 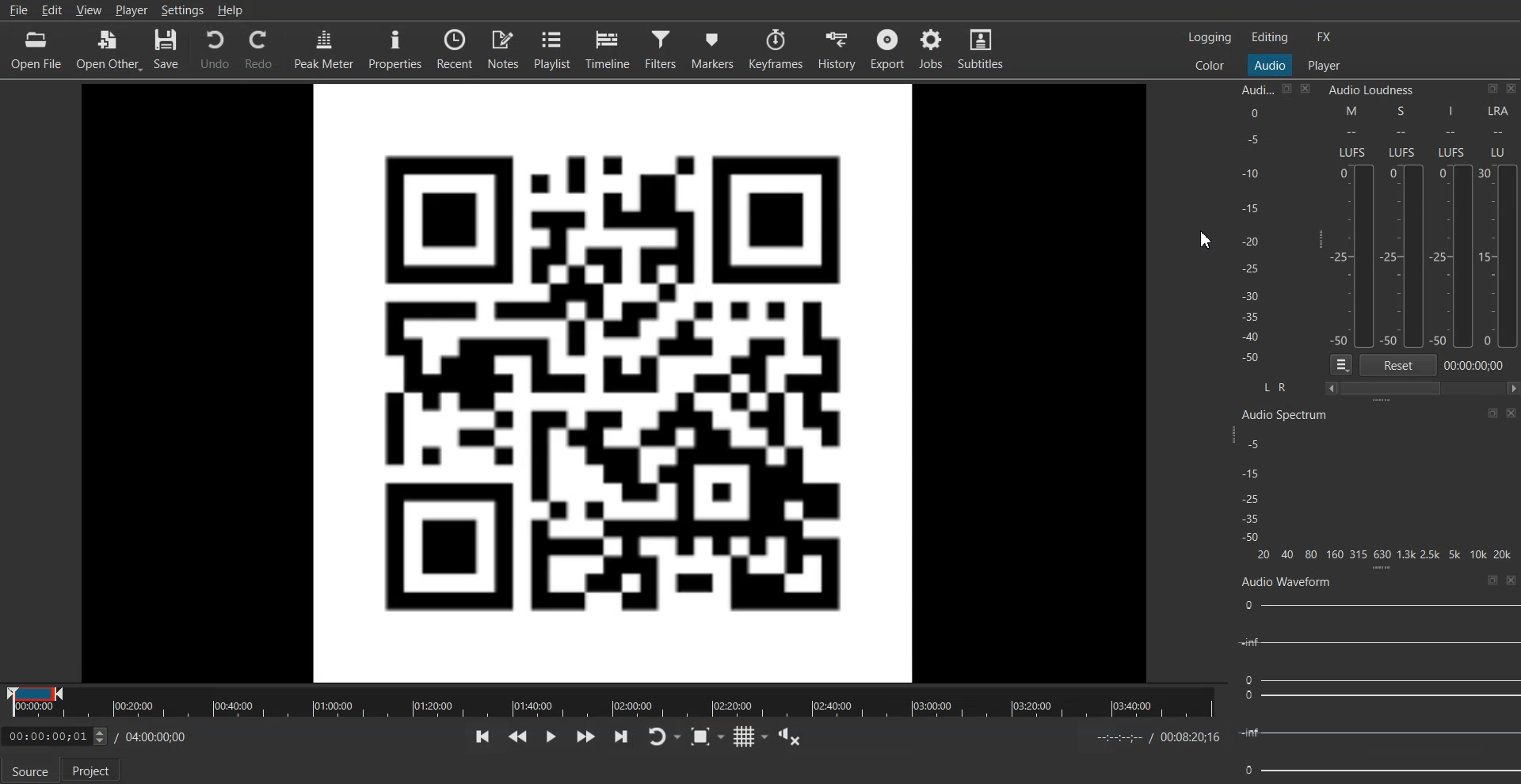 What do you see at coordinates (1236, 435) in the screenshot?
I see `Window Adjuster` at bounding box center [1236, 435].